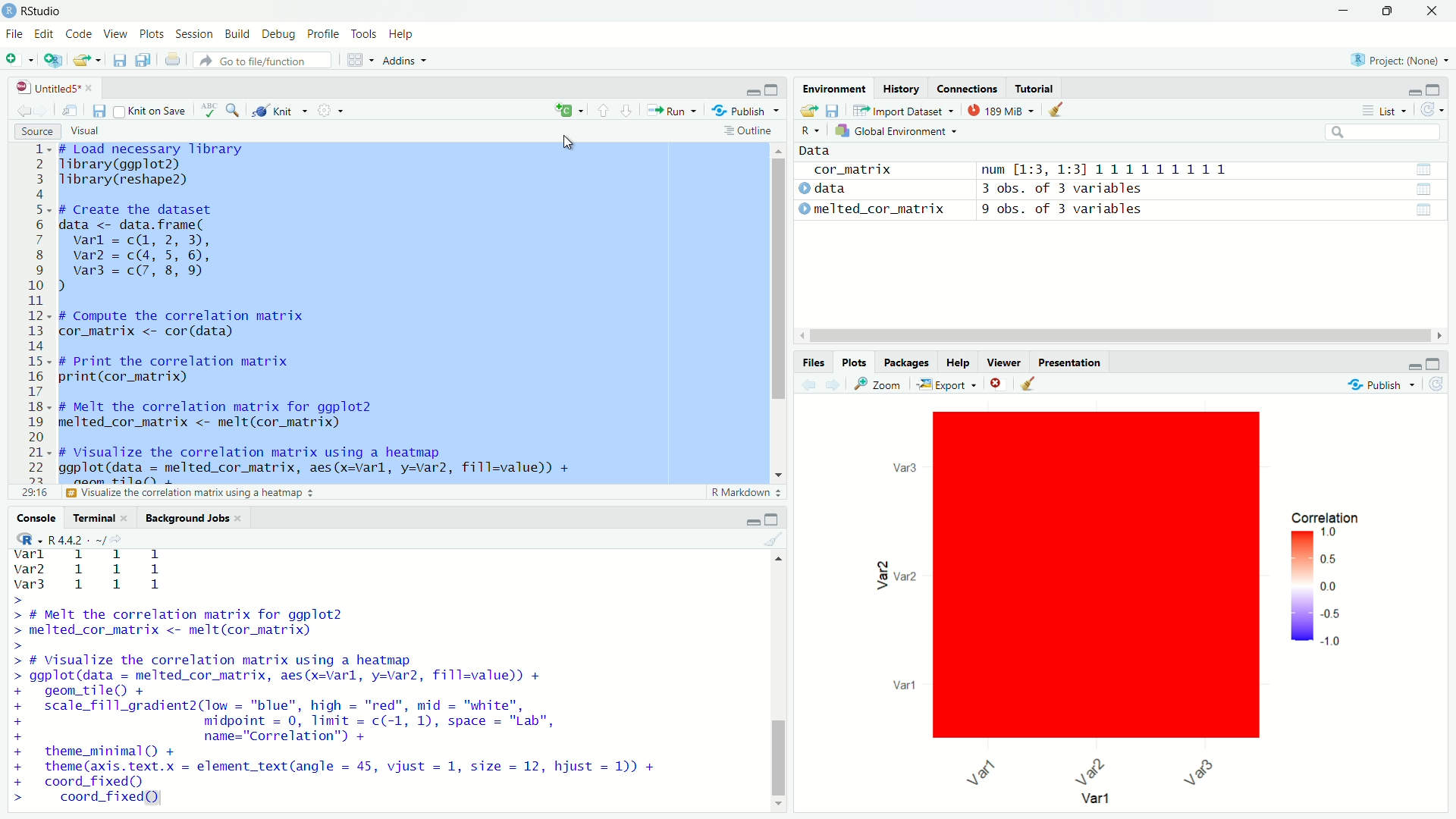 The height and width of the screenshot is (819, 1456). What do you see at coordinates (43, 11) in the screenshot?
I see `RStudio` at bounding box center [43, 11].